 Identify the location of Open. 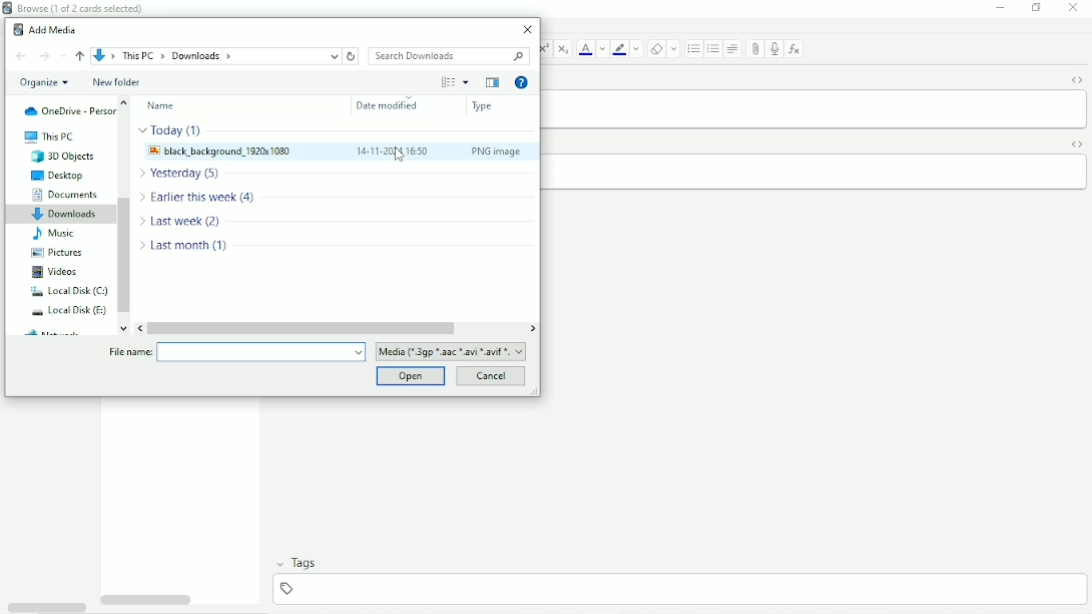
(410, 376).